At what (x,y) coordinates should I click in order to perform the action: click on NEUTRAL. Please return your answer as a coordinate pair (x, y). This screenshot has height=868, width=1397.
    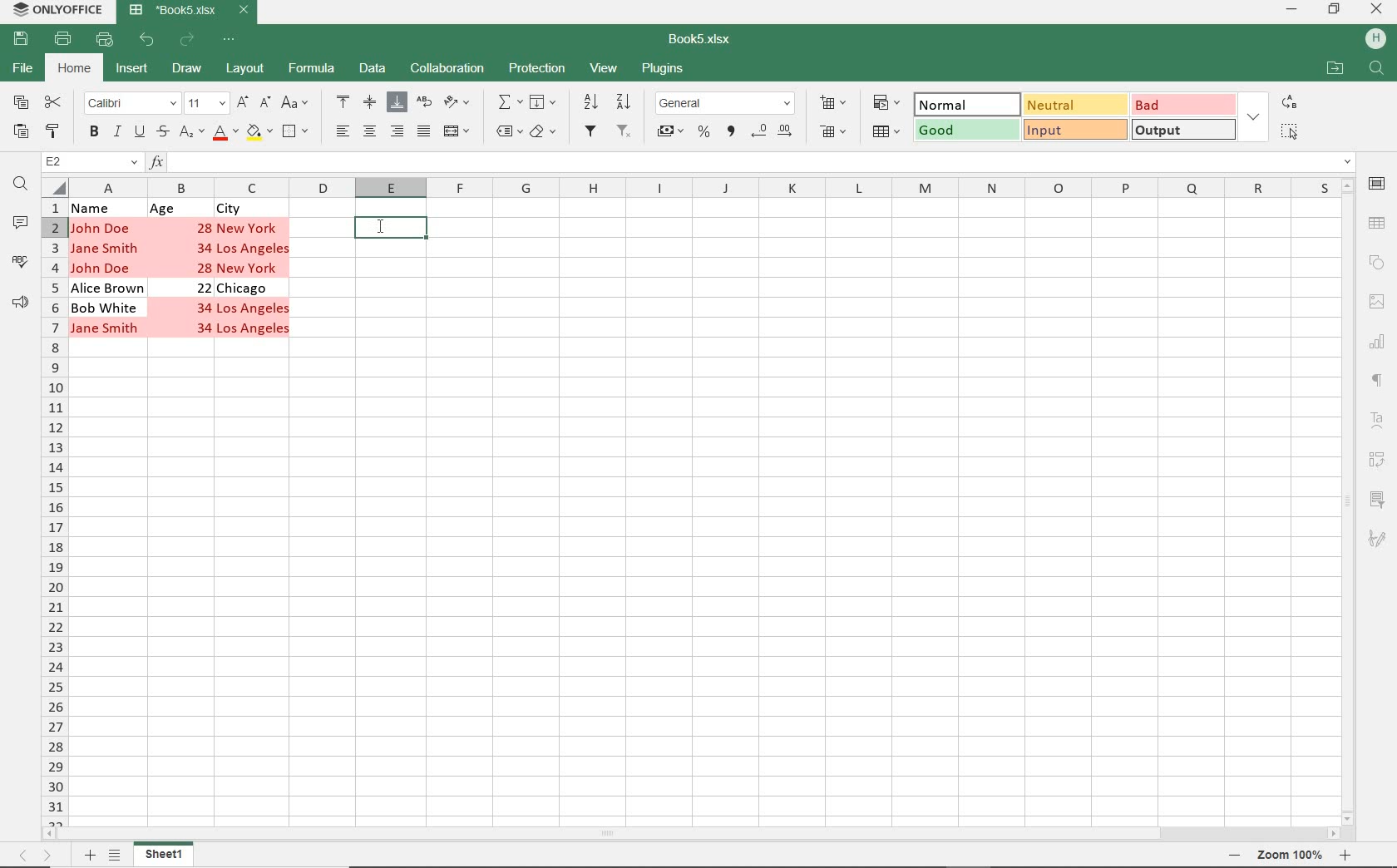
    Looking at the image, I should click on (1074, 104).